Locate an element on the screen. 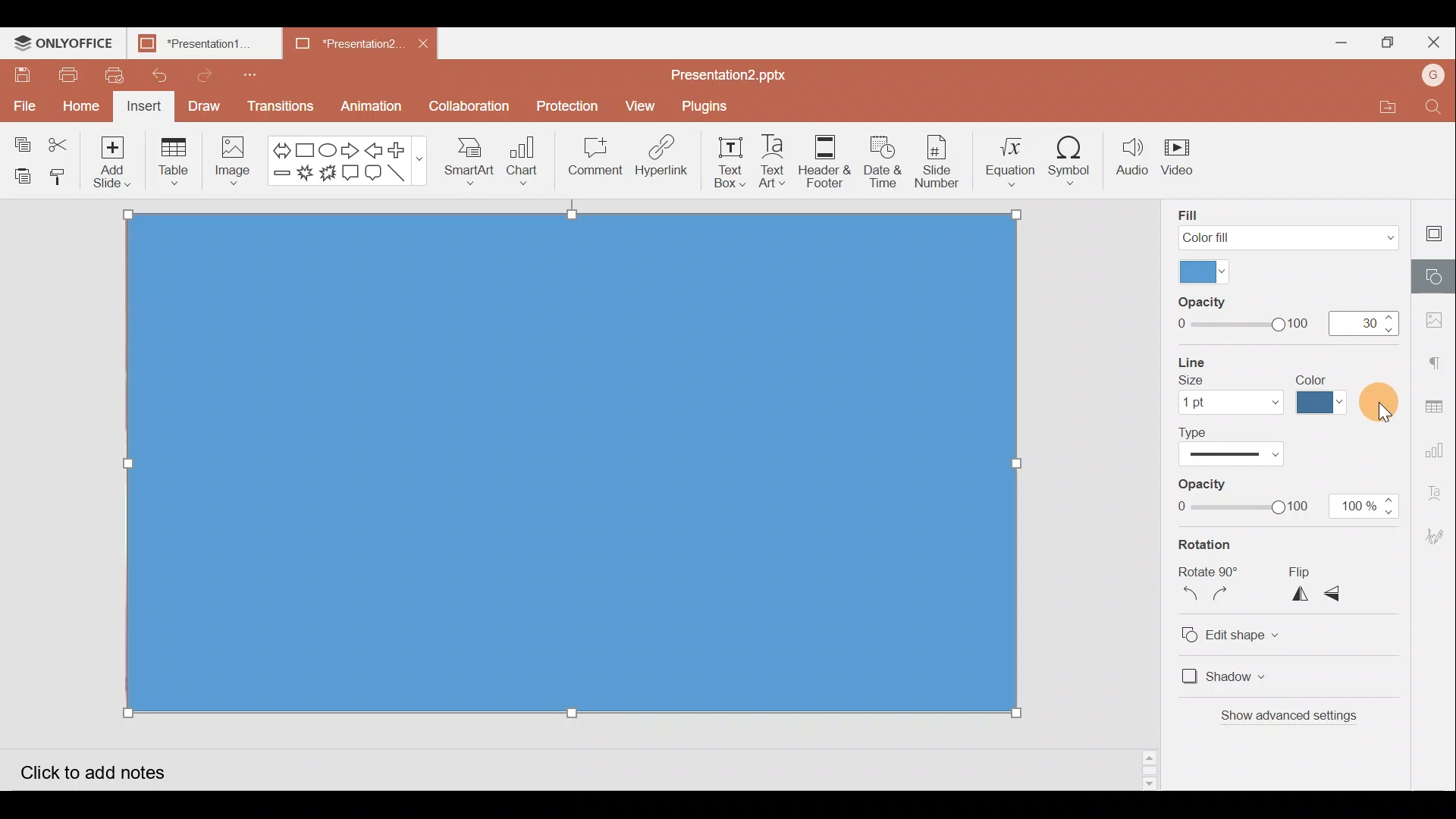 This screenshot has height=819, width=1456. Open file location is located at coordinates (1397, 106).